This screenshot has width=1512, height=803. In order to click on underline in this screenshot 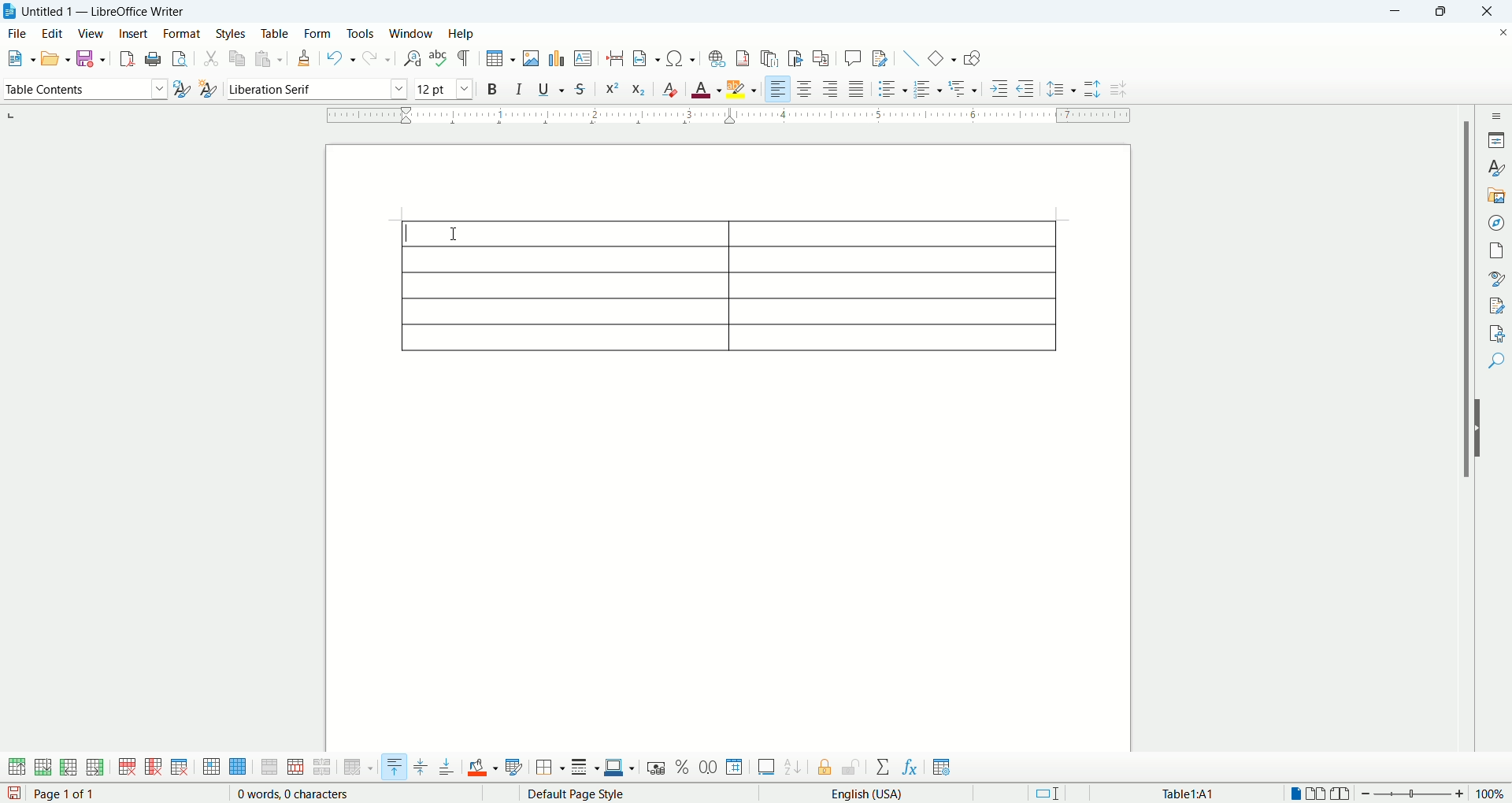, I will do `click(551, 87)`.